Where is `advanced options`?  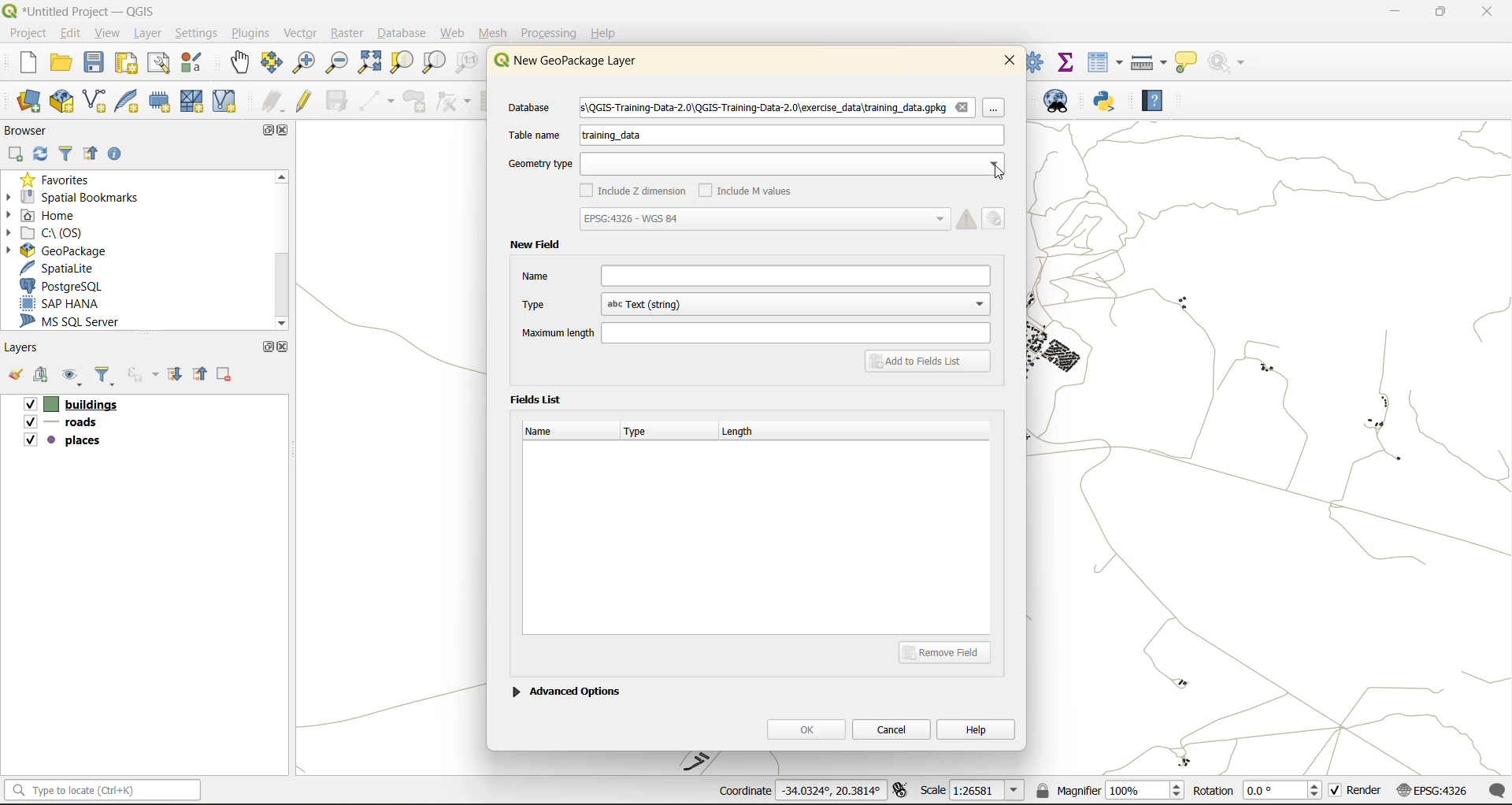 advanced options is located at coordinates (566, 689).